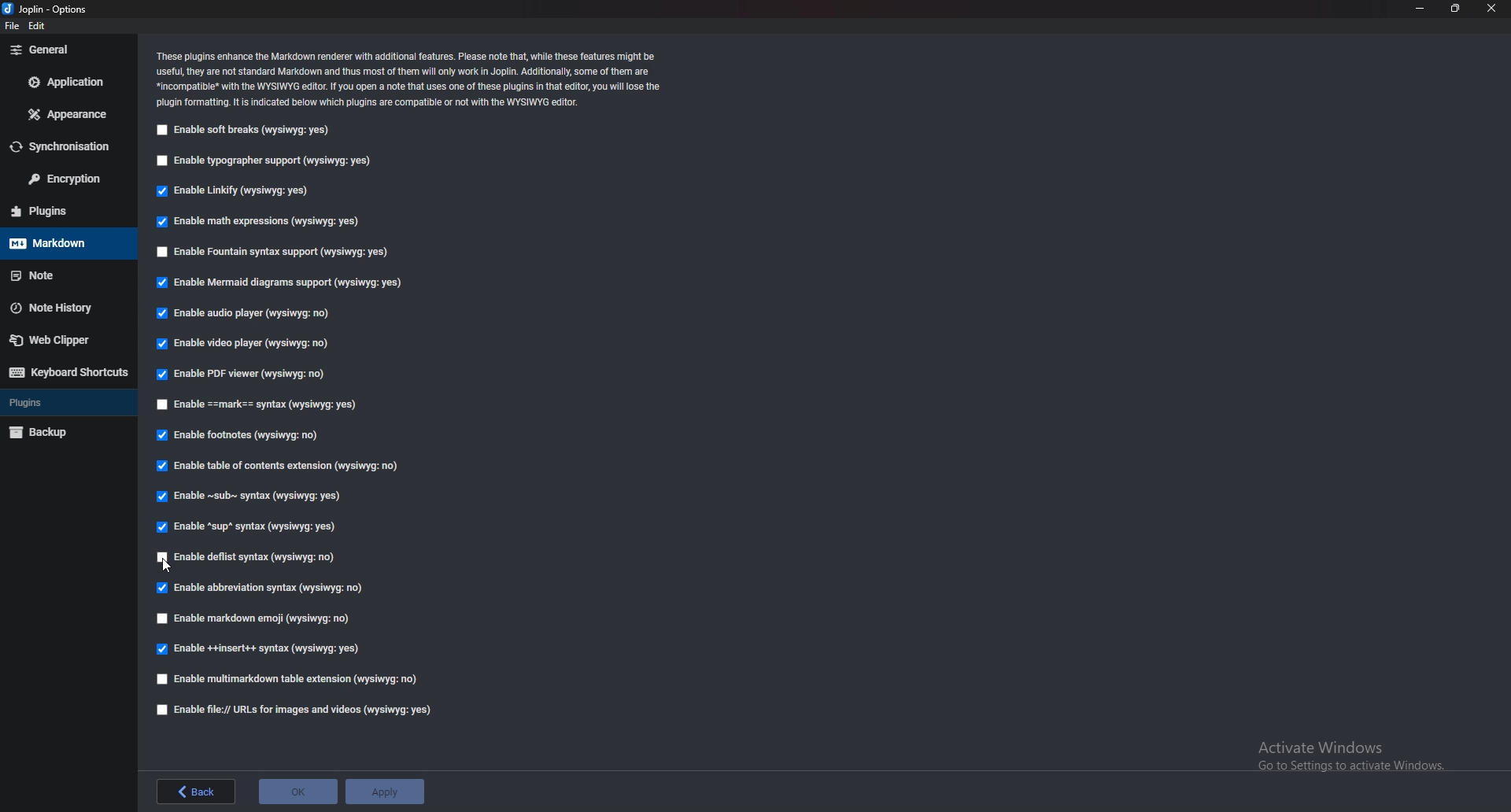  I want to click on general, so click(68, 49).